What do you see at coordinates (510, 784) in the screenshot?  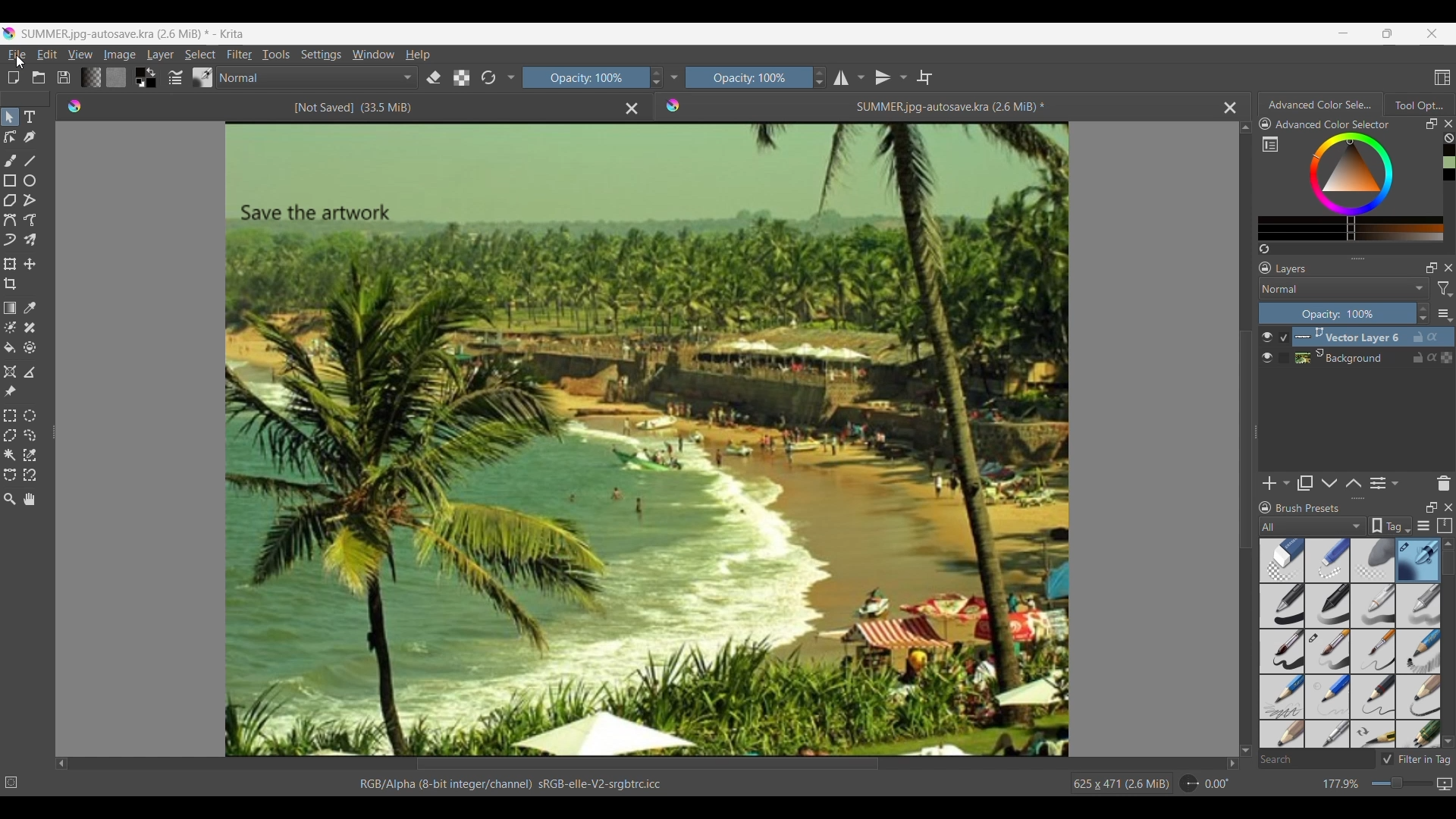 I see `File details` at bounding box center [510, 784].